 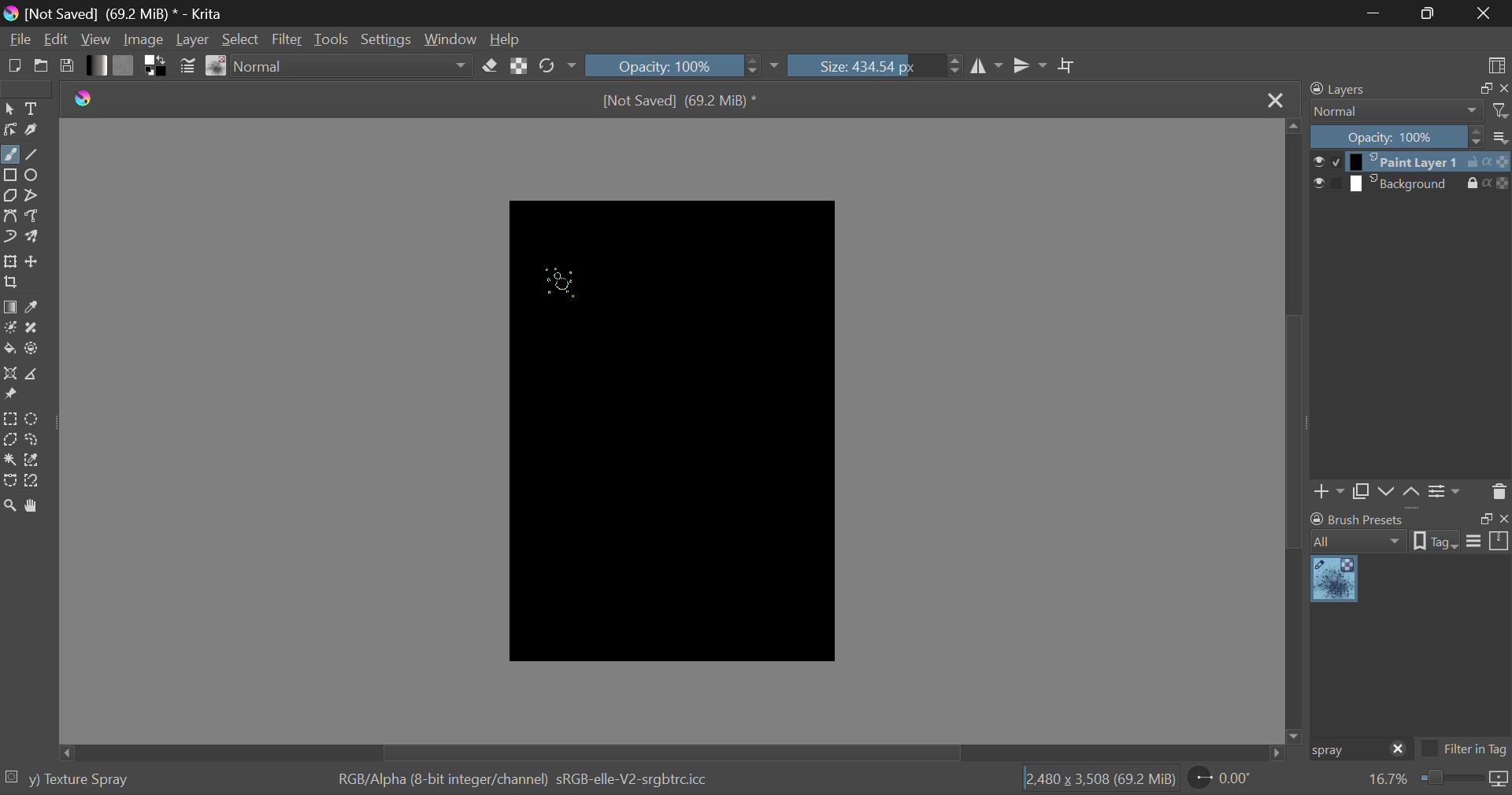 What do you see at coordinates (9, 109) in the screenshot?
I see `Select` at bounding box center [9, 109].